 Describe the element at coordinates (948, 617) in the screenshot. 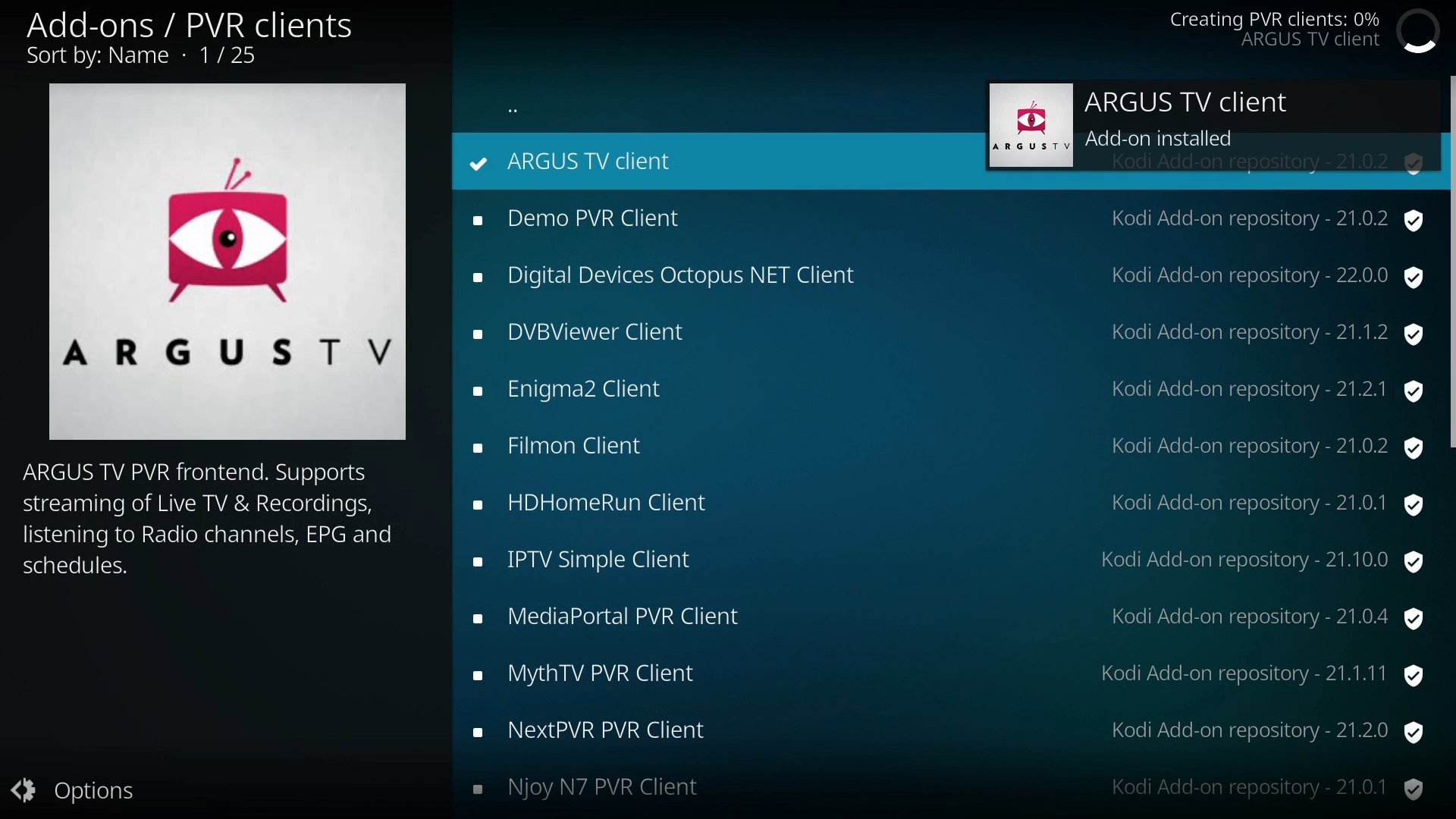

I see `MediaPortal PVR Client Kodi Add-on repository - 21.0.4` at that location.